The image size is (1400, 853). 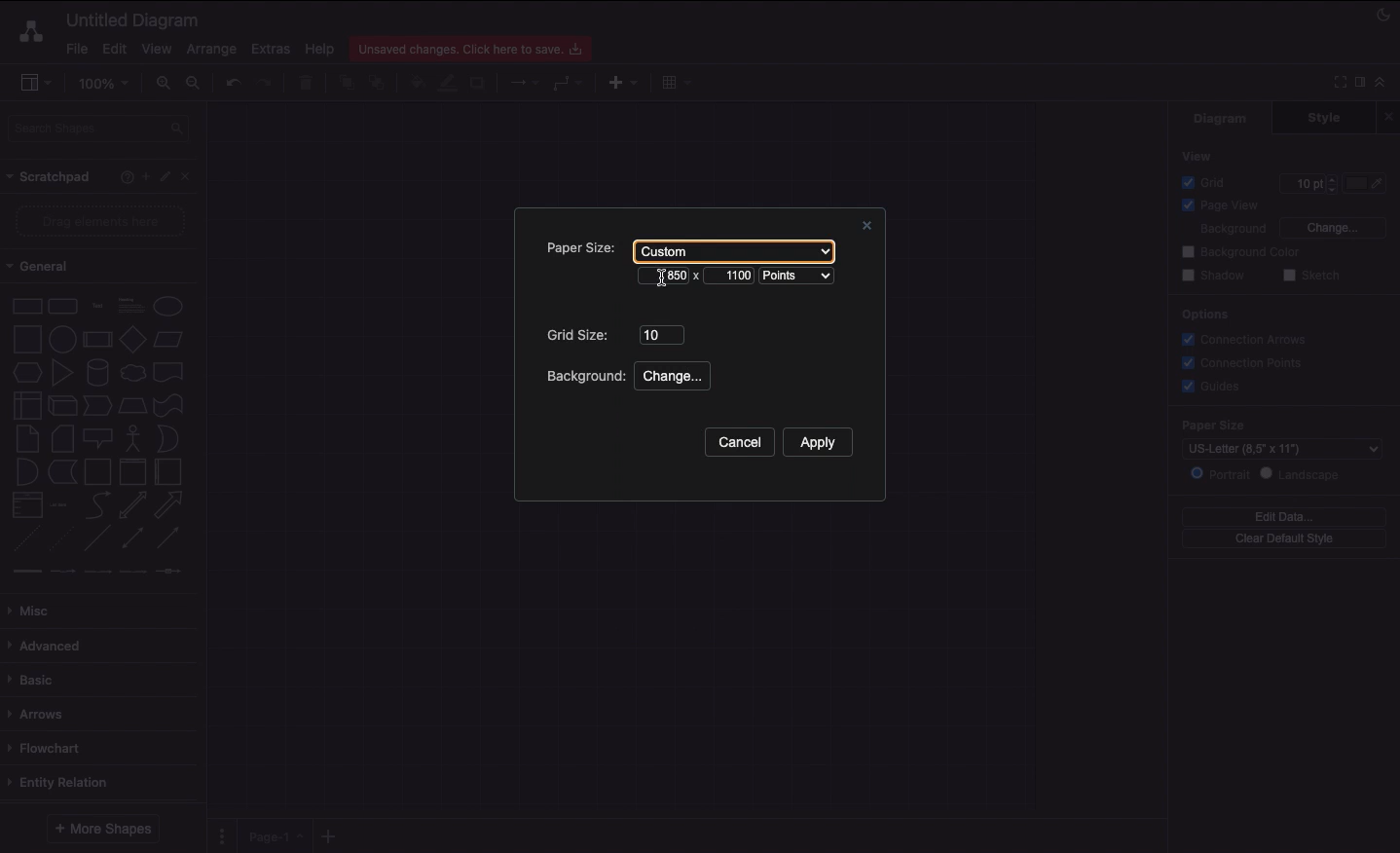 I want to click on Format, so click(x=1361, y=85).